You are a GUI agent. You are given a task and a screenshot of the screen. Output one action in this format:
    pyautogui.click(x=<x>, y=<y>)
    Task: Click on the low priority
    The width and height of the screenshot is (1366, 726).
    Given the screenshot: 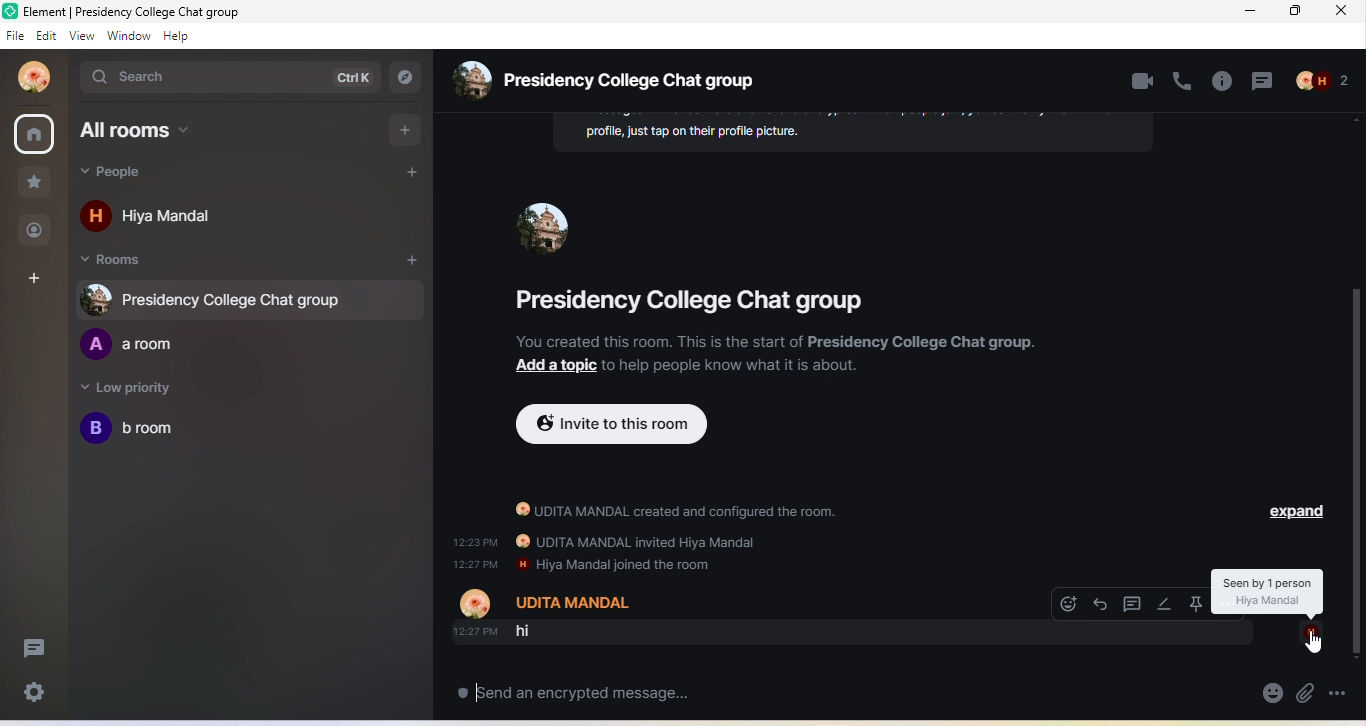 What is the action you would take?
    pyautogui.click(x=140, y=389)
    